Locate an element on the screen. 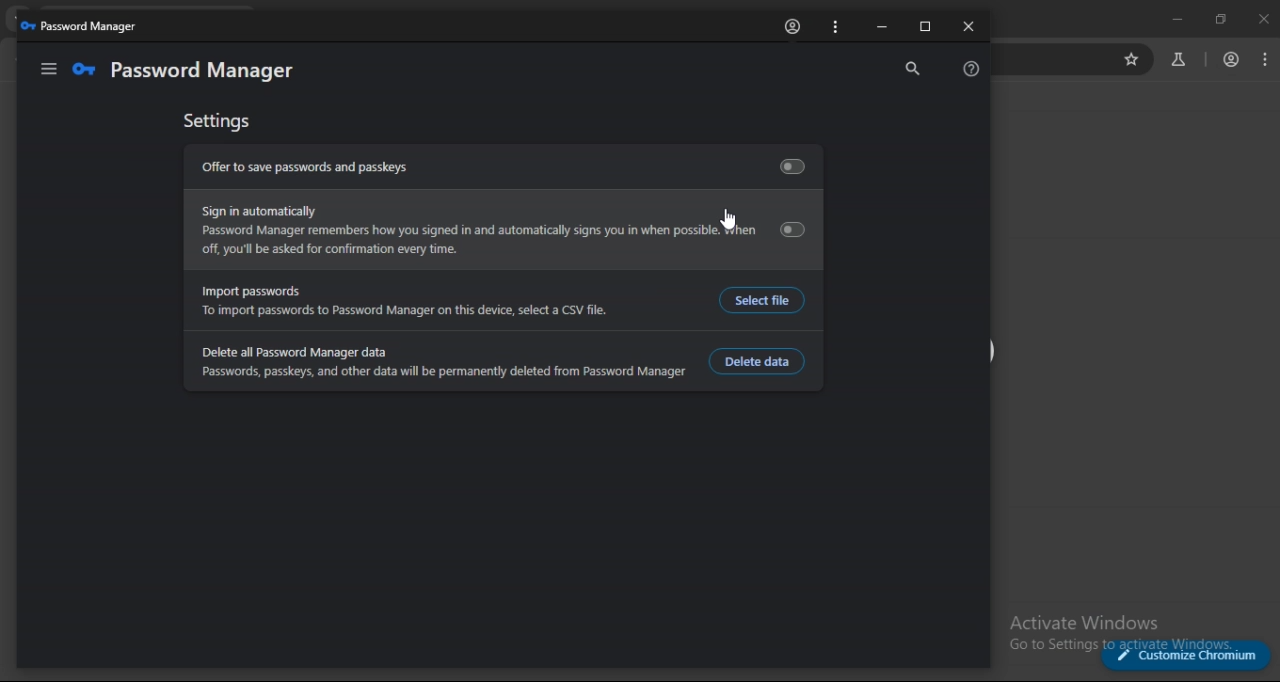  delete all password manager data is located at coordinates (440, 362).